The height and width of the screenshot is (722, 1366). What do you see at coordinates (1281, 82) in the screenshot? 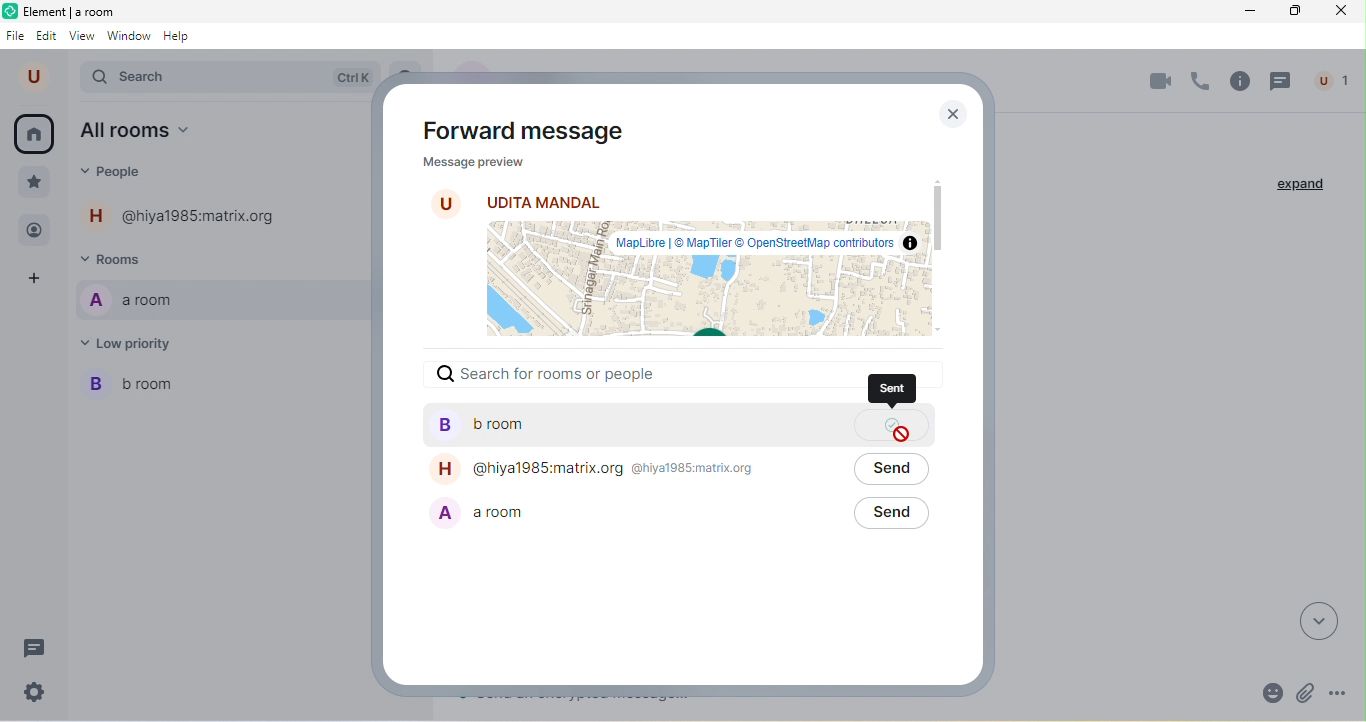
I see `thread` at bounding box center [1281, 82].